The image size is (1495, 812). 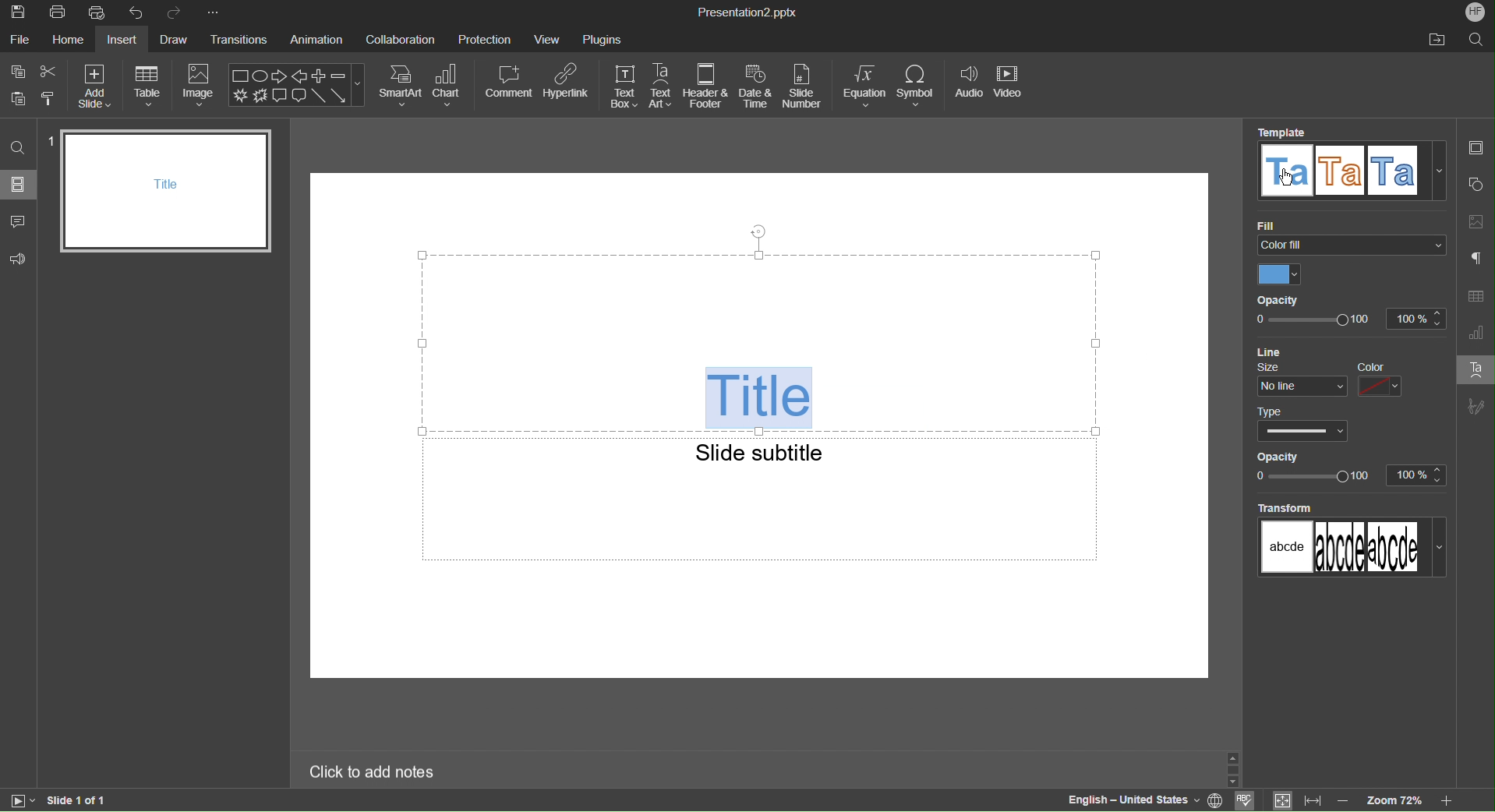 What do you see at coordinates (747, 12) in the screenshot?
I see `Presentation` at bounding box center [747, 12].